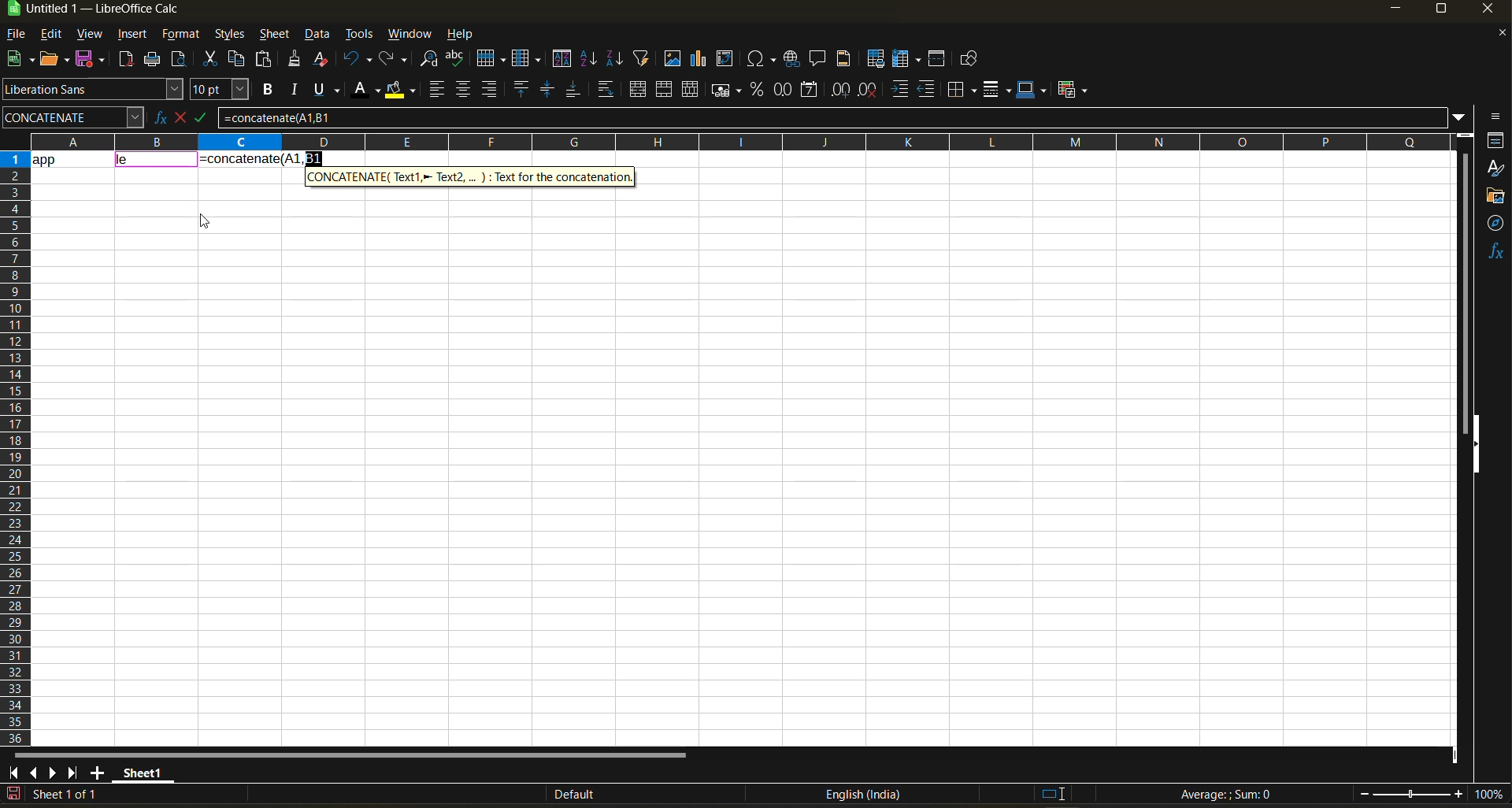 The height and width of the screenshot is (808, 1512). I want to click on tools, so click(359, 36).